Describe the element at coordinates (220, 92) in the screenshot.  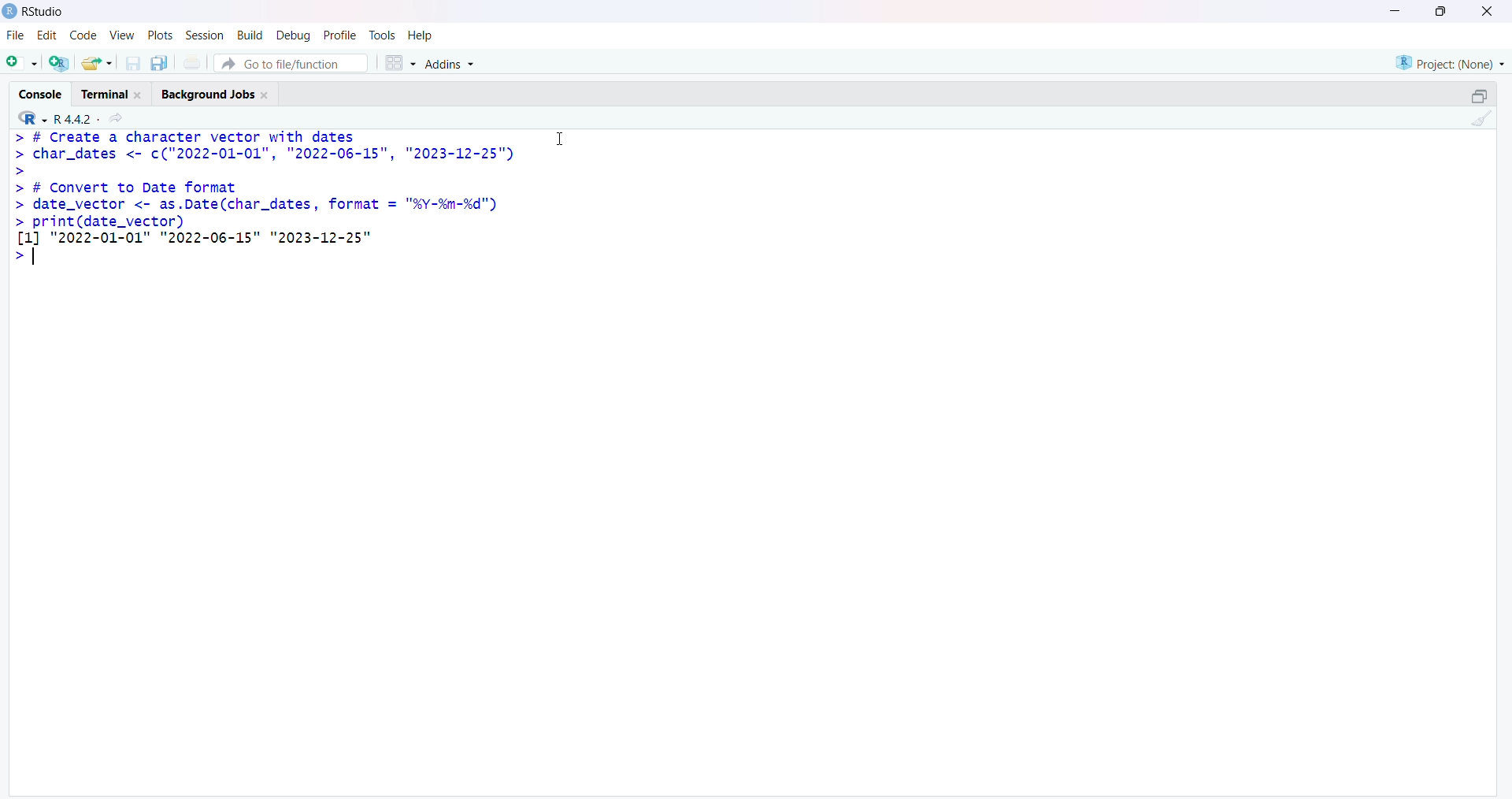
I see `Background Jobs` at that location.